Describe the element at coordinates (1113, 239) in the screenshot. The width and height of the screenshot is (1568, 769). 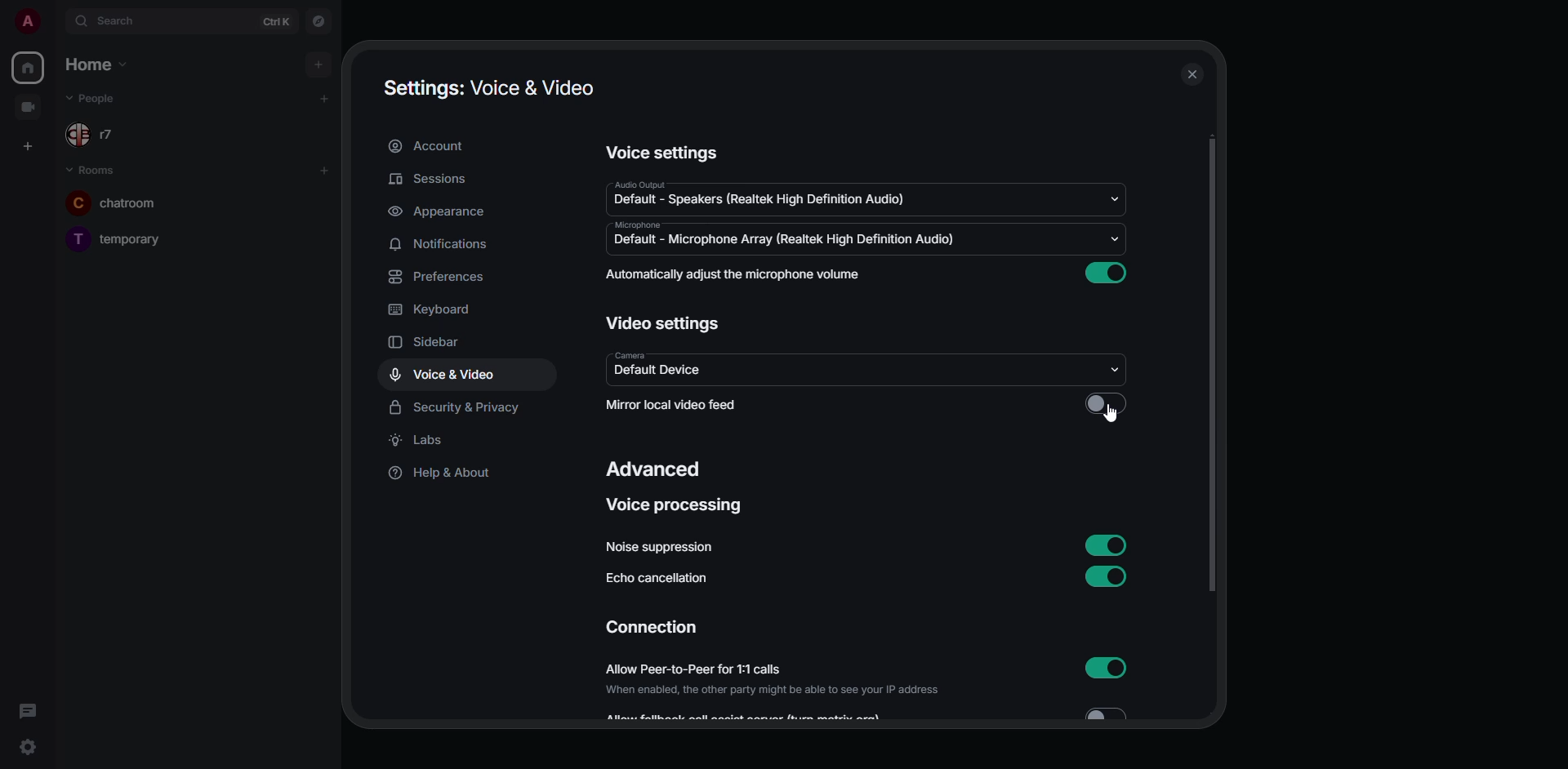
I see `drop down` at that location.